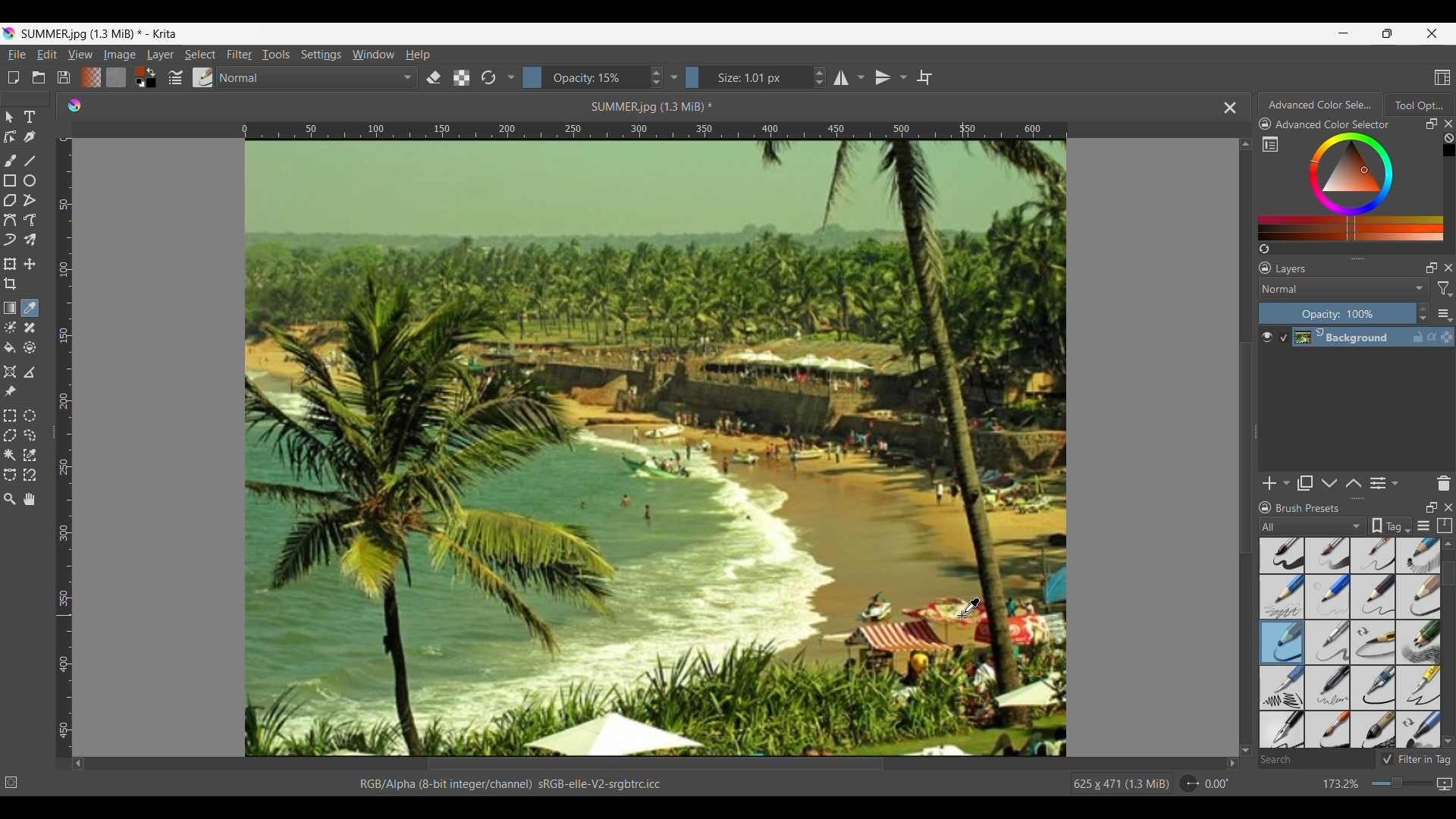  What do you see at coordinates (275, 54) in the screenshot?
I see `Tools menu` at bounding box center [275, 54].